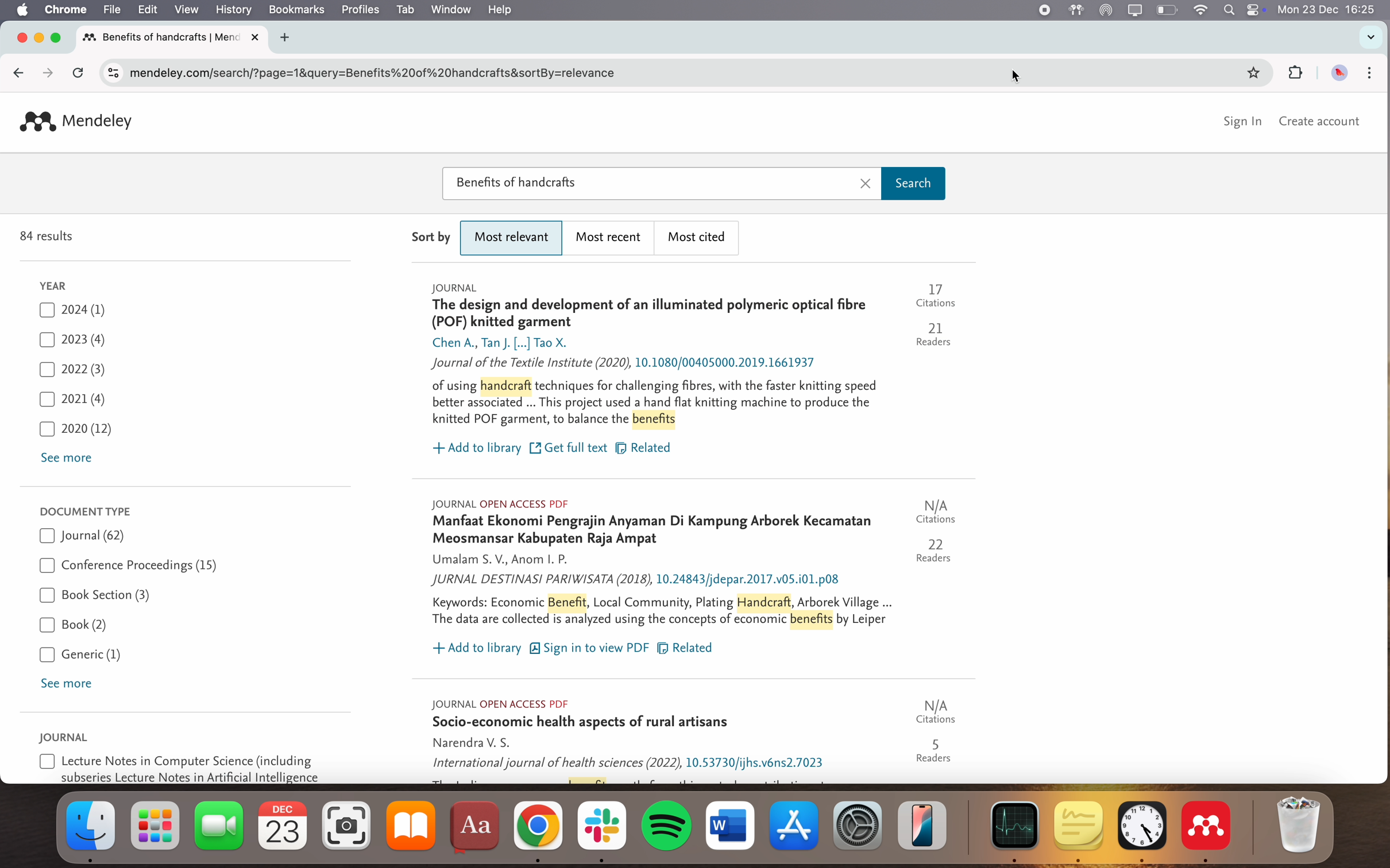 This screenshot has width=1390, height=868. Describe the element at coordinates (129, 567) in the screenshot. I see `conference proceedings` at that location.